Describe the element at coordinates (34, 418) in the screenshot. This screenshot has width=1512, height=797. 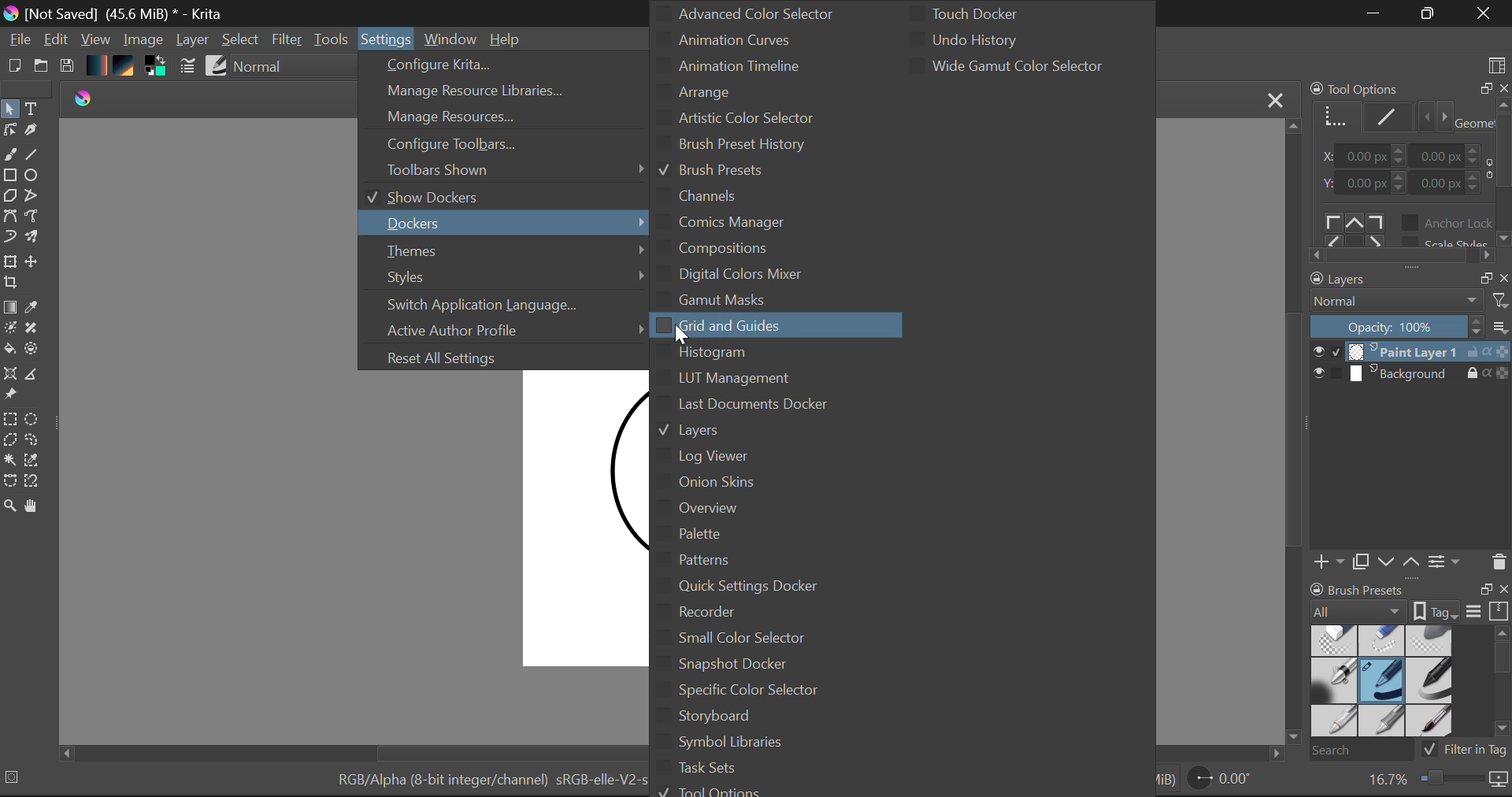
I see `Elipses Selection Tool` at that location.